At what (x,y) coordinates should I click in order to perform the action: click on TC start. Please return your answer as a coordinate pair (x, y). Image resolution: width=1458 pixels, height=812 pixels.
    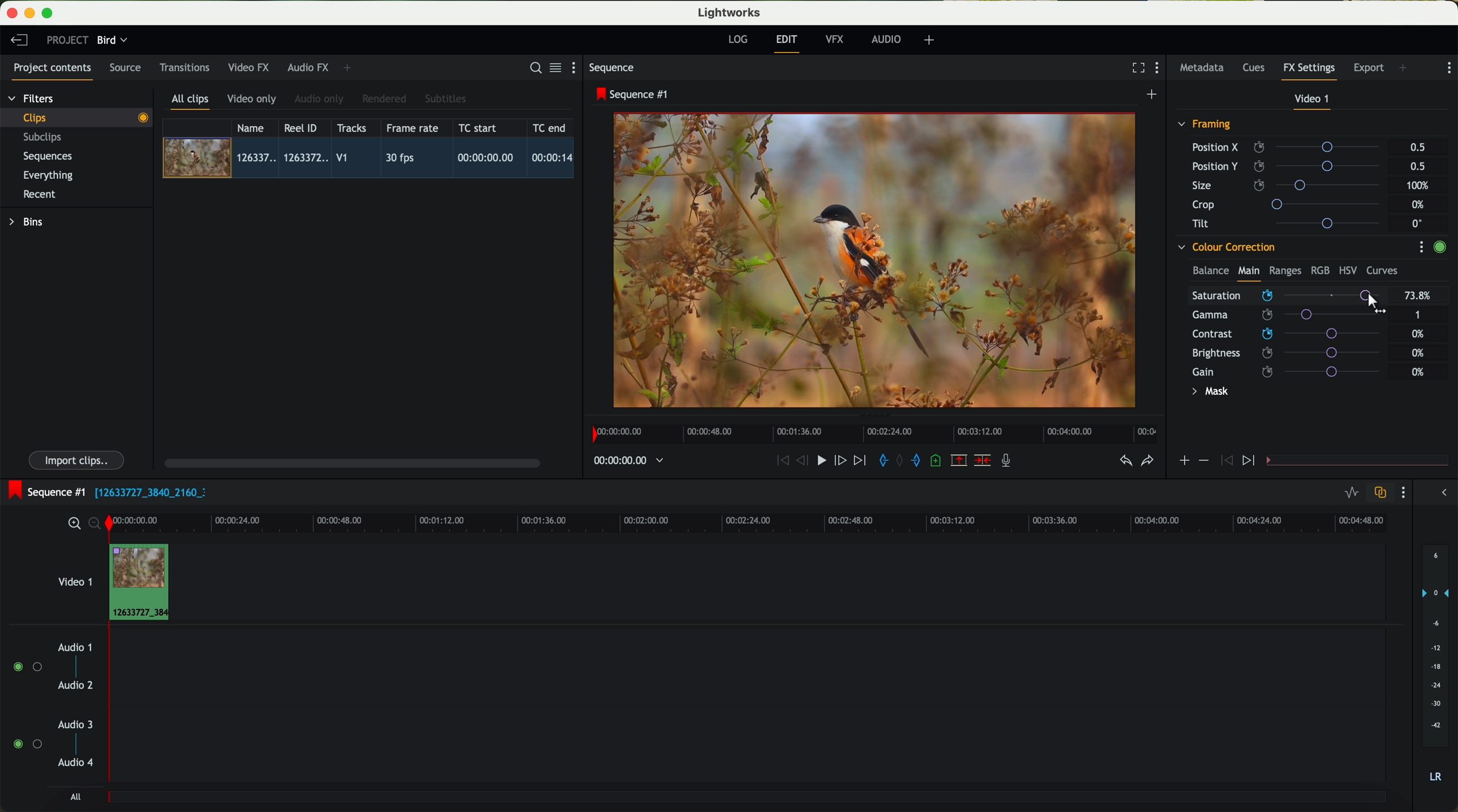
    Looking at the image, I should click on (479, 127).